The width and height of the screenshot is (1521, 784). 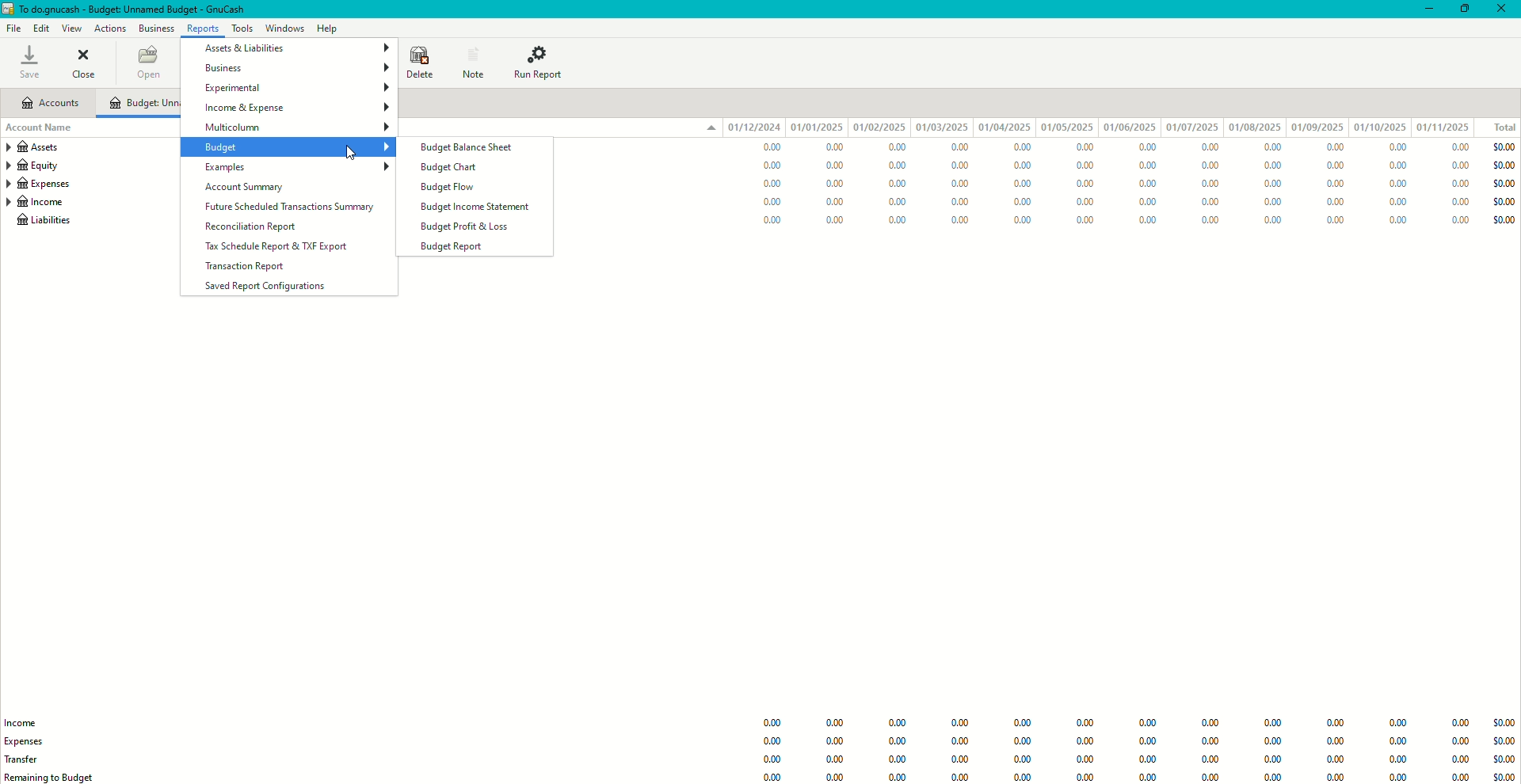 What do you see at coordinates (1502, 776) in the screenshot?
I see `$0.00` at bounding box center [1502, 776].